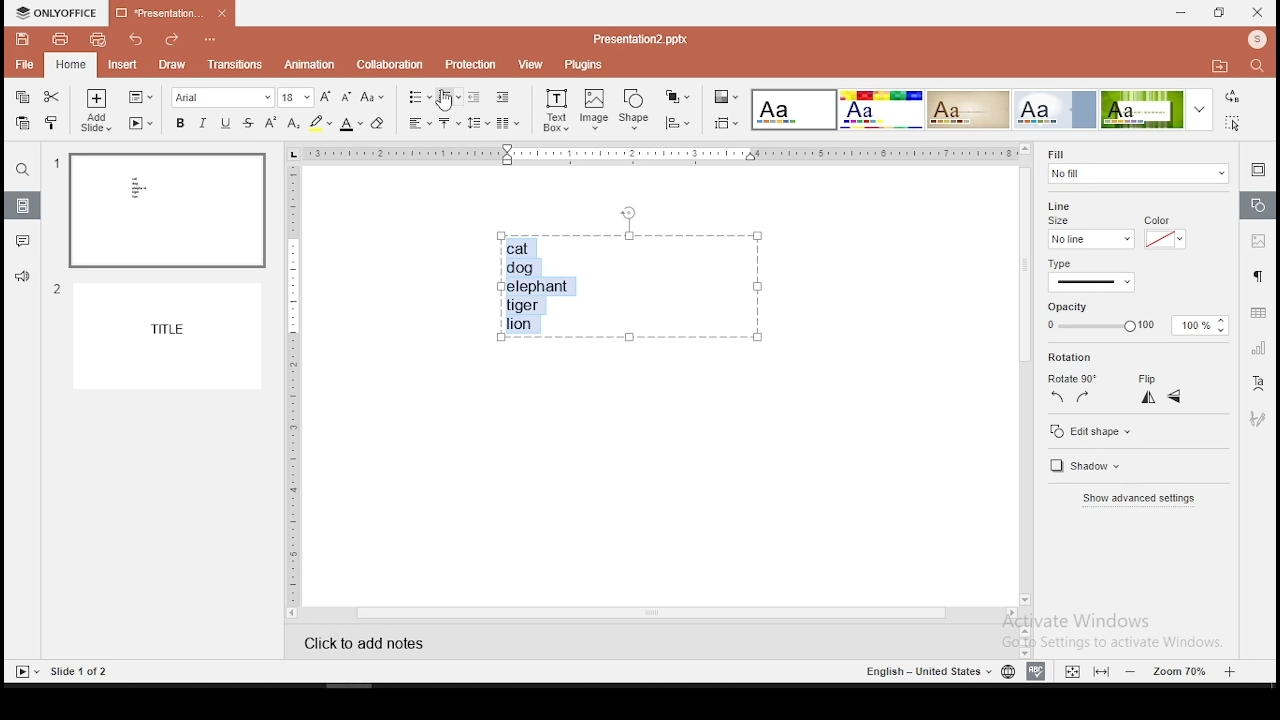  Describe the element at coordinates (1257, 416) in the screenshot. I see `` at that location.